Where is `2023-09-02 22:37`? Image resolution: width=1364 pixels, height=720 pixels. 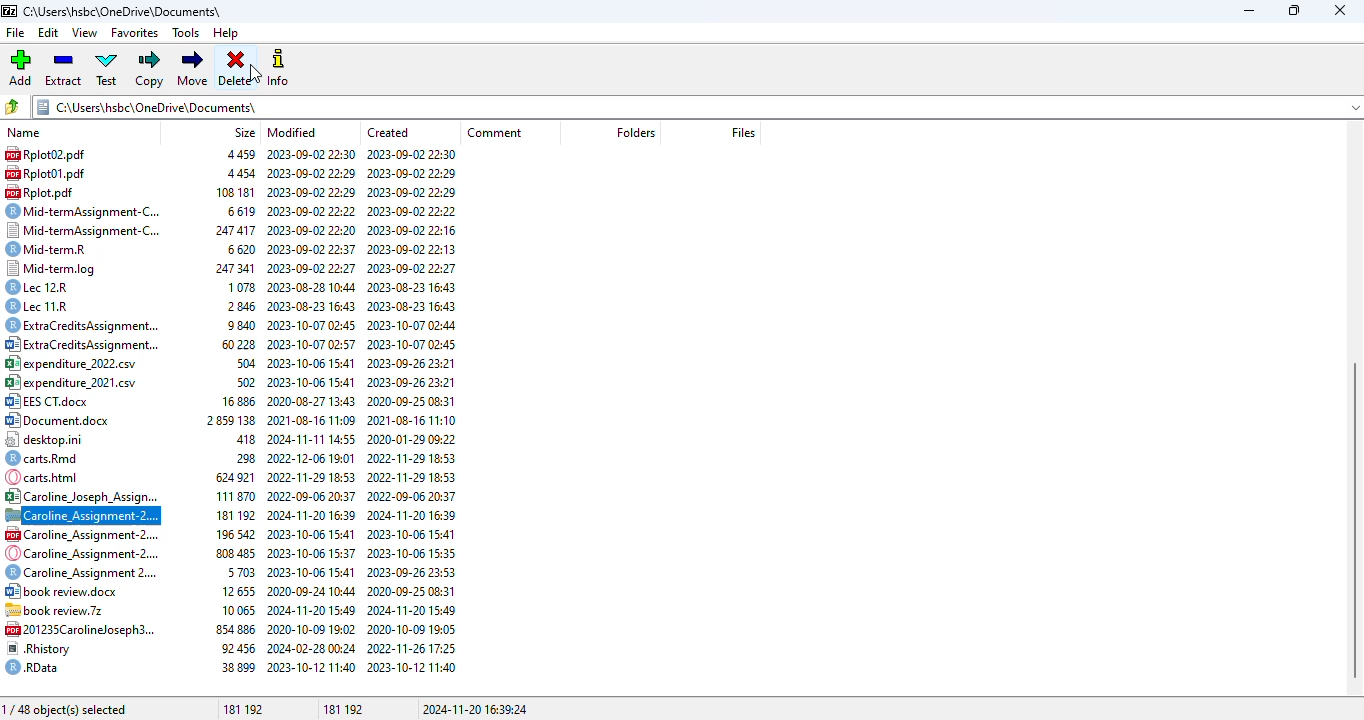
2023-09-02 22:37 is located at coordinates (311, 247).